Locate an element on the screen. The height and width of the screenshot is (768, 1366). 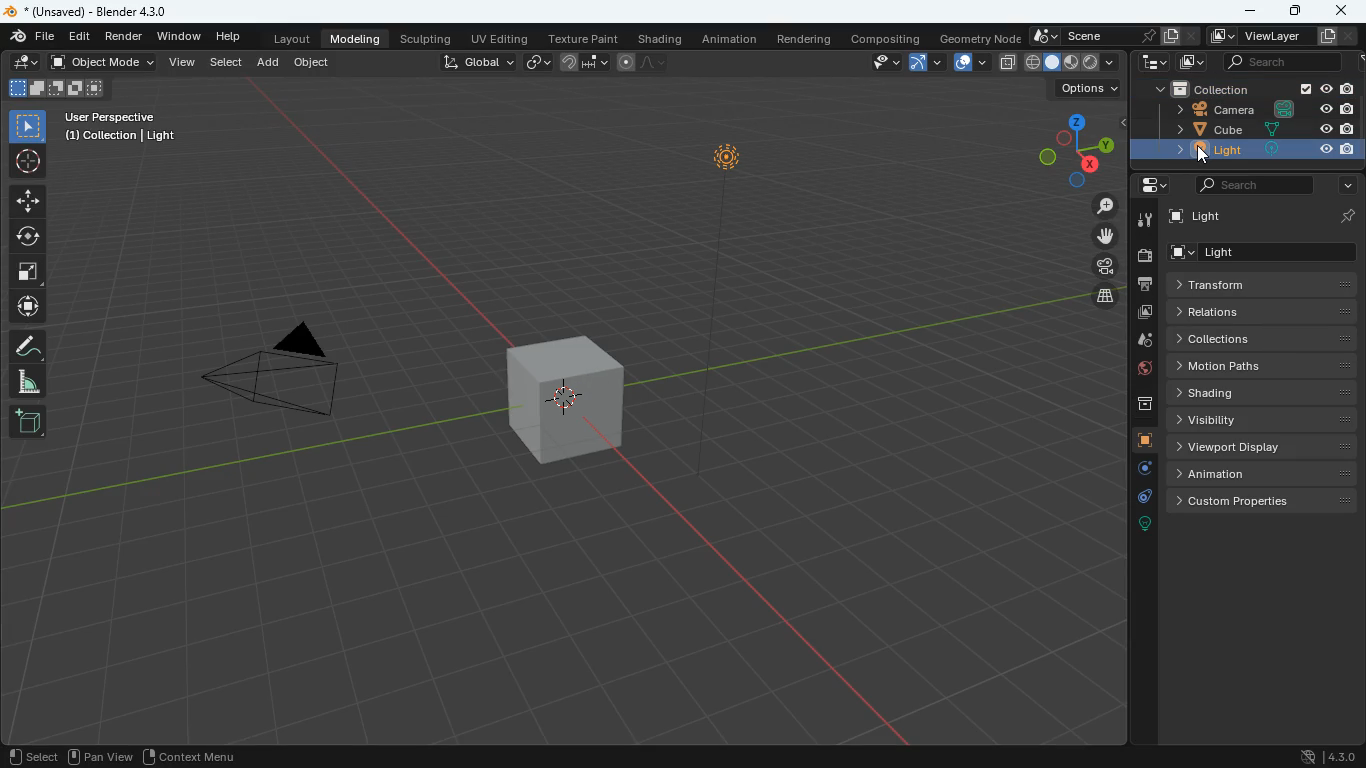
app version is located at coordinates (1324, 756).